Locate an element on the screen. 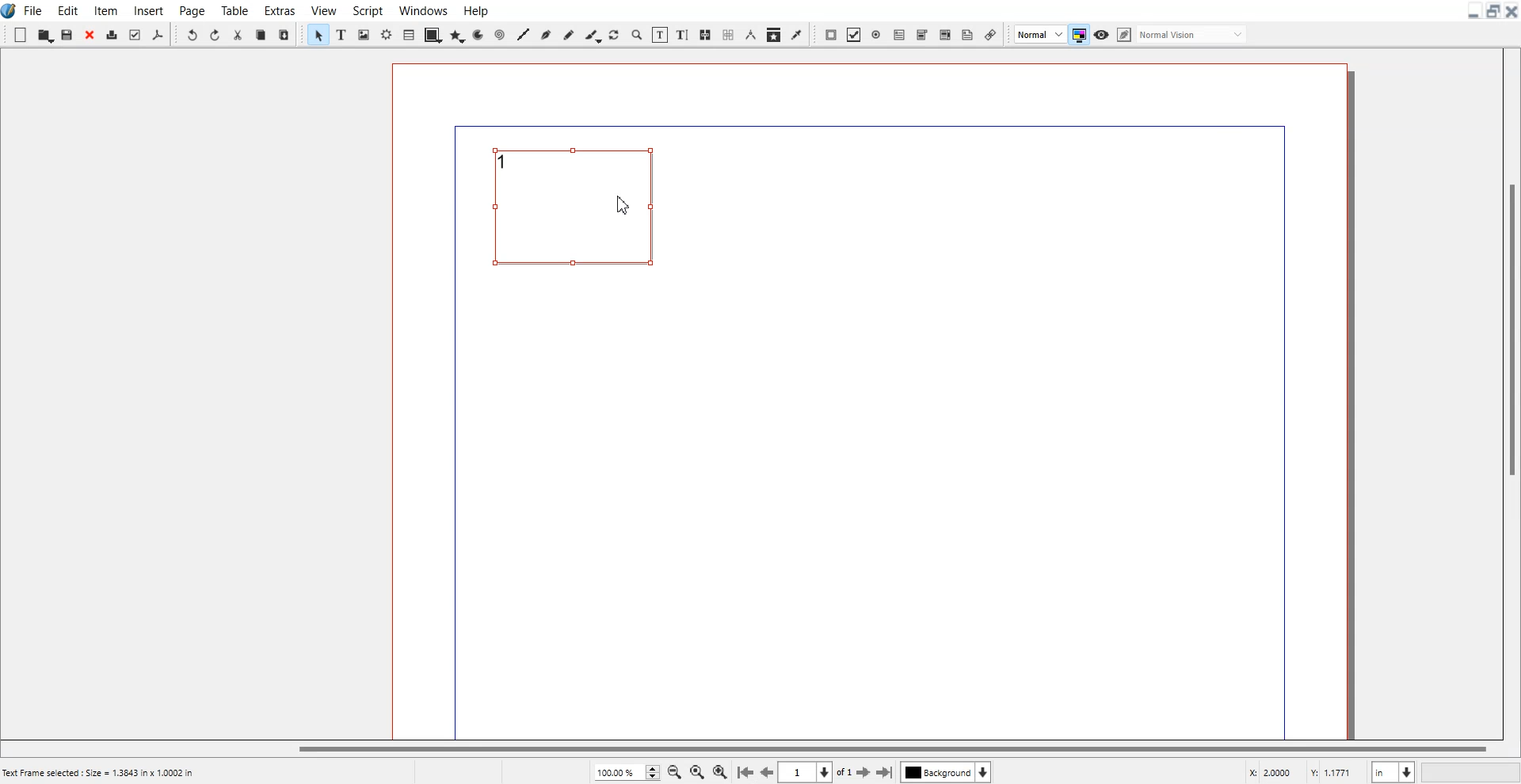 Image resolution: width=1521 pixels, height=784 pixels. PDF Combo Box is located at coordinates (923, 35).